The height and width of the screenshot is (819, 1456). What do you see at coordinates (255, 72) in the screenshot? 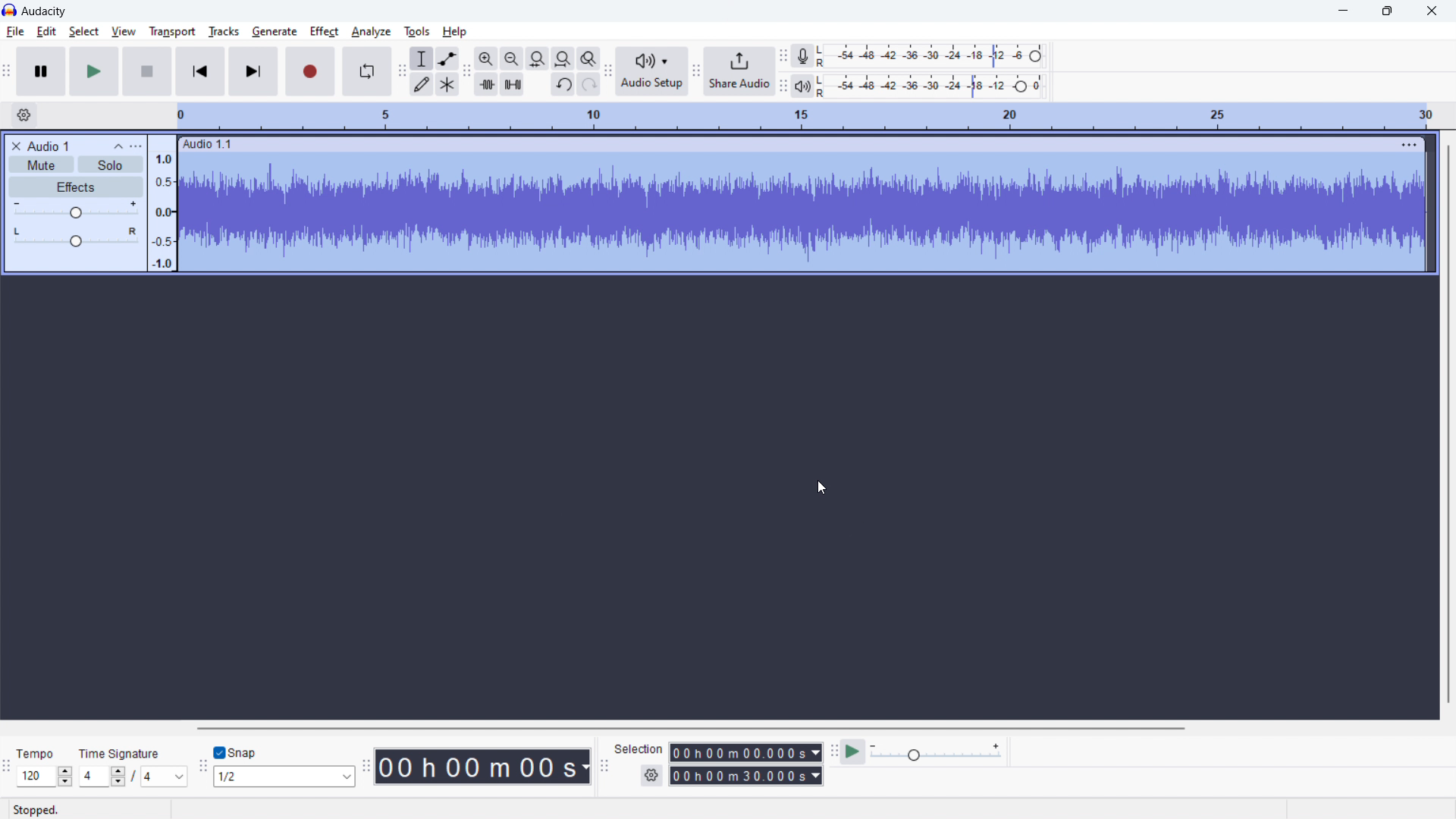
I see `skip to last` at bounding box center [255, 72].